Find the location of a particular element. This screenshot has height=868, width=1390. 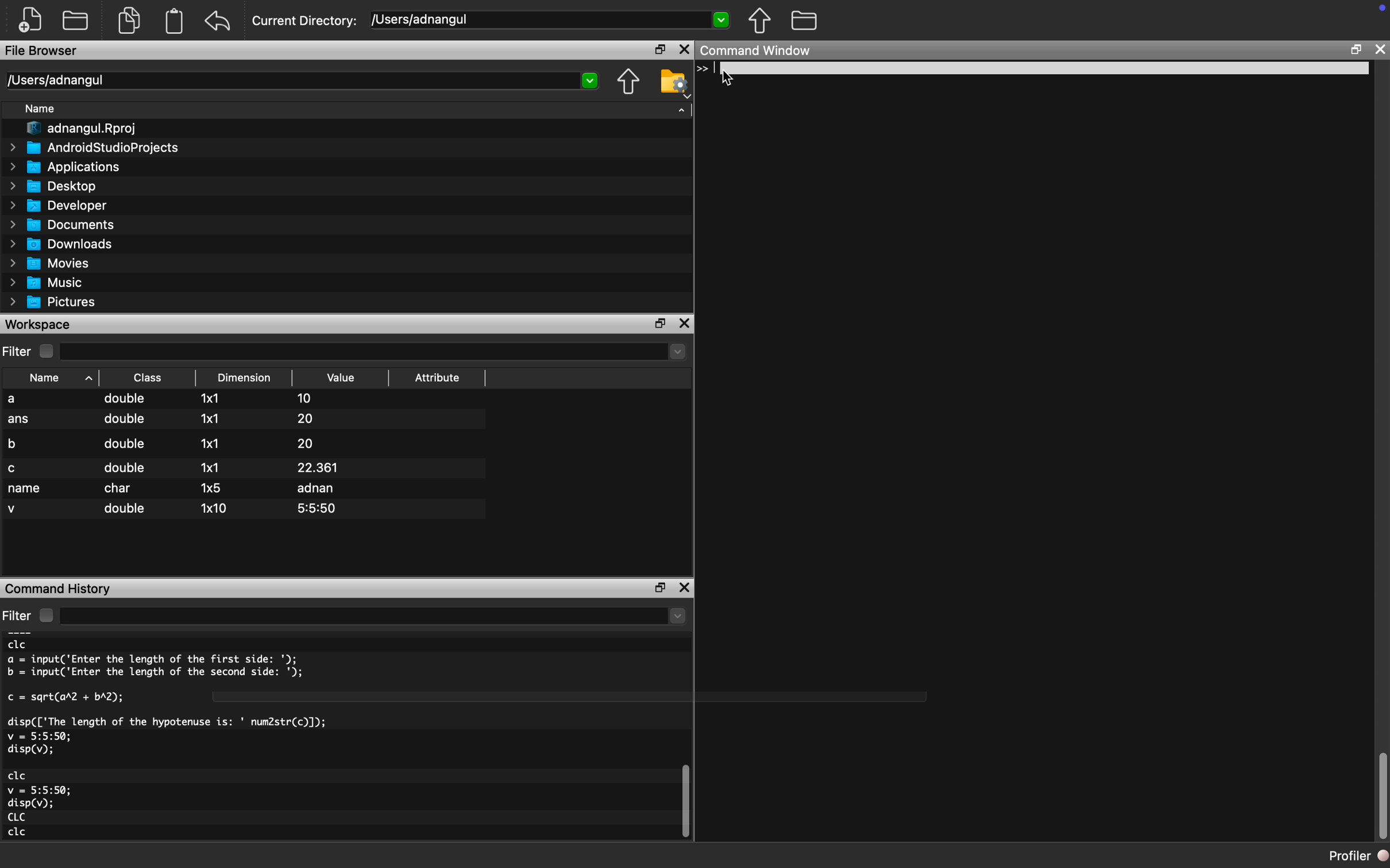

Browse your files is located at coordinates (804, 22).